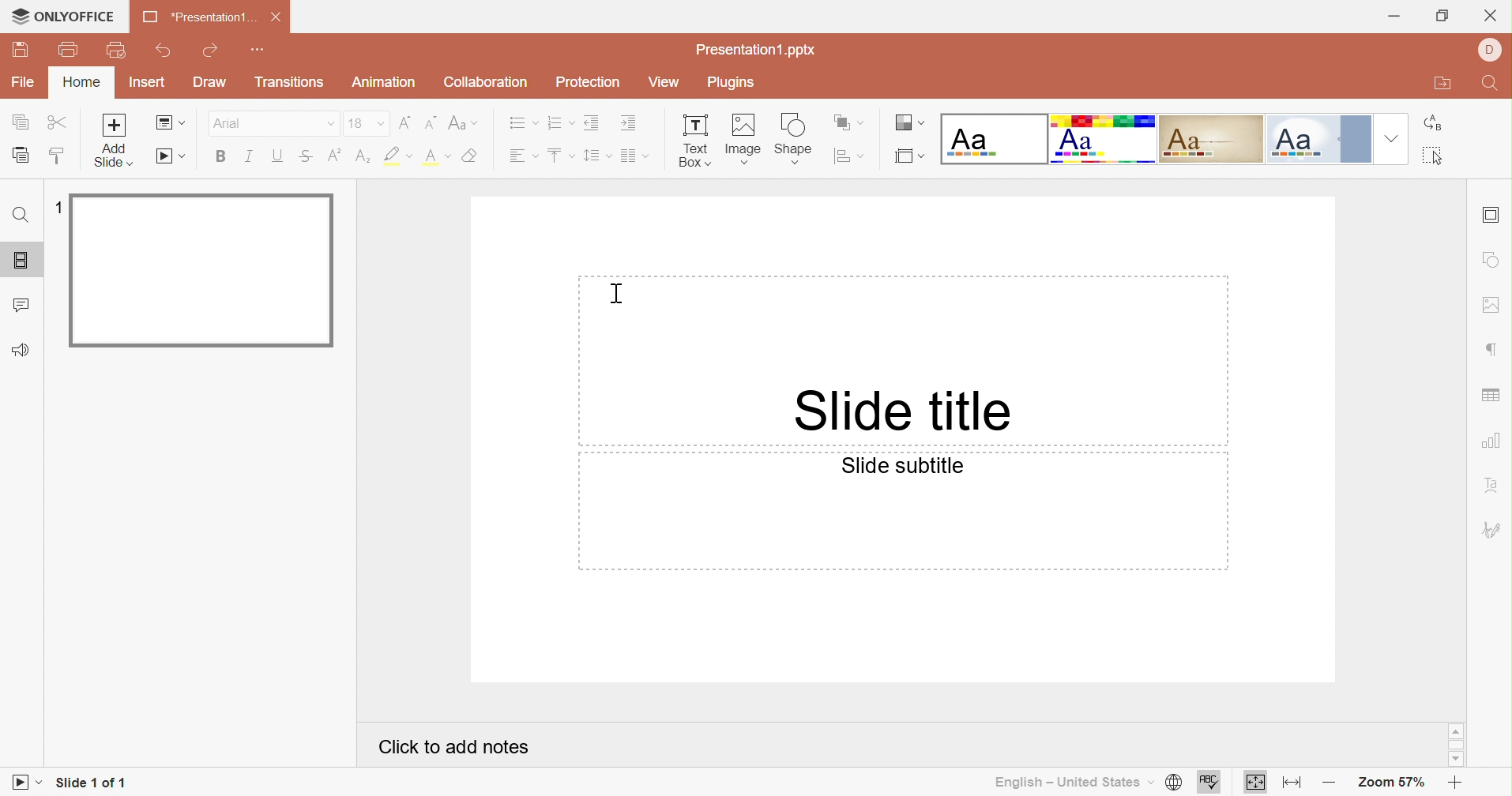 This screenshot has width=1512, height=796. What do you see at coordinates (23, 785) in the screenshot?
I see `Start slideshow` at bounding box center [23, 785].